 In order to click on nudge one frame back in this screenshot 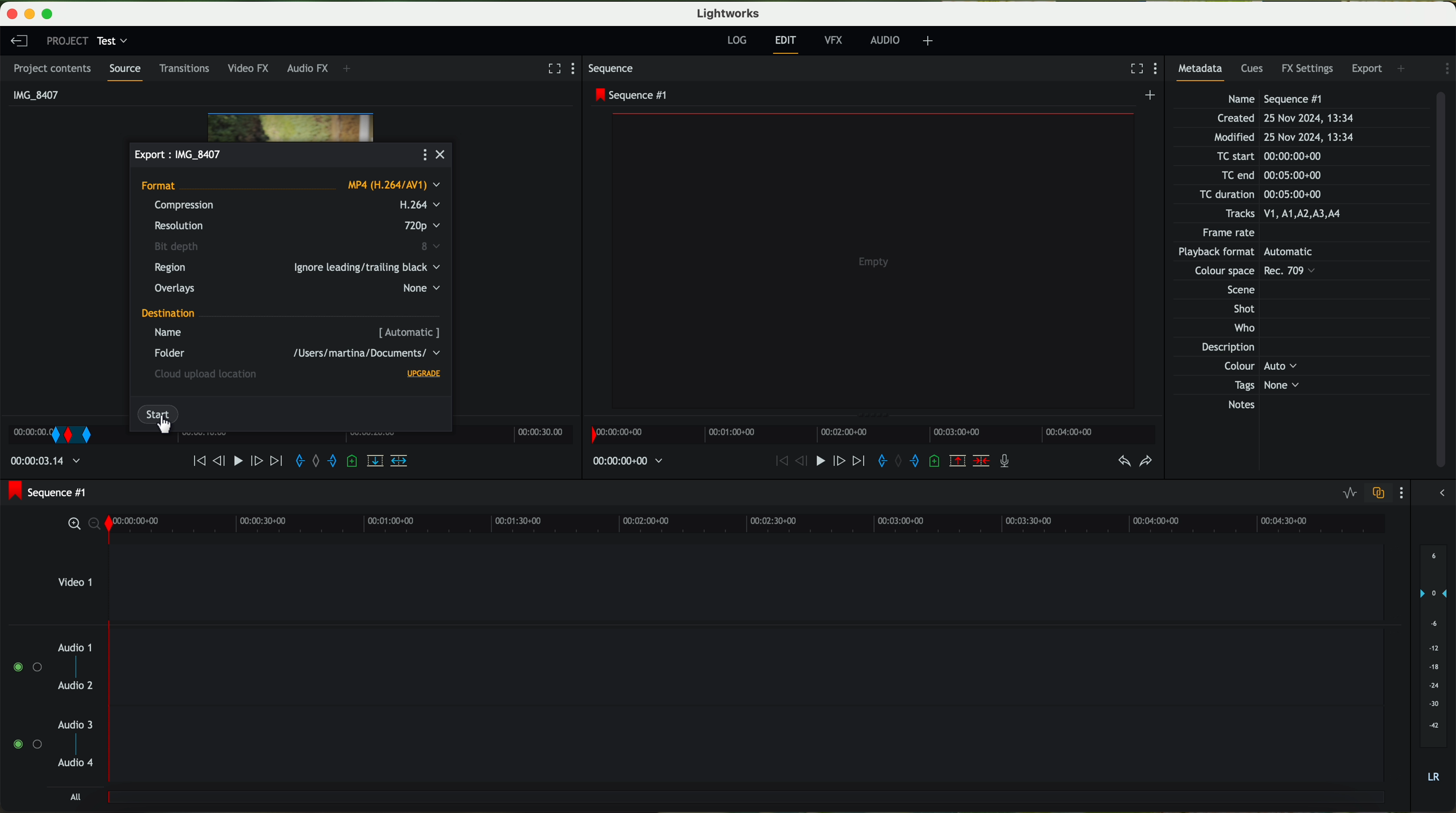, I will do `click(221, 460)`.